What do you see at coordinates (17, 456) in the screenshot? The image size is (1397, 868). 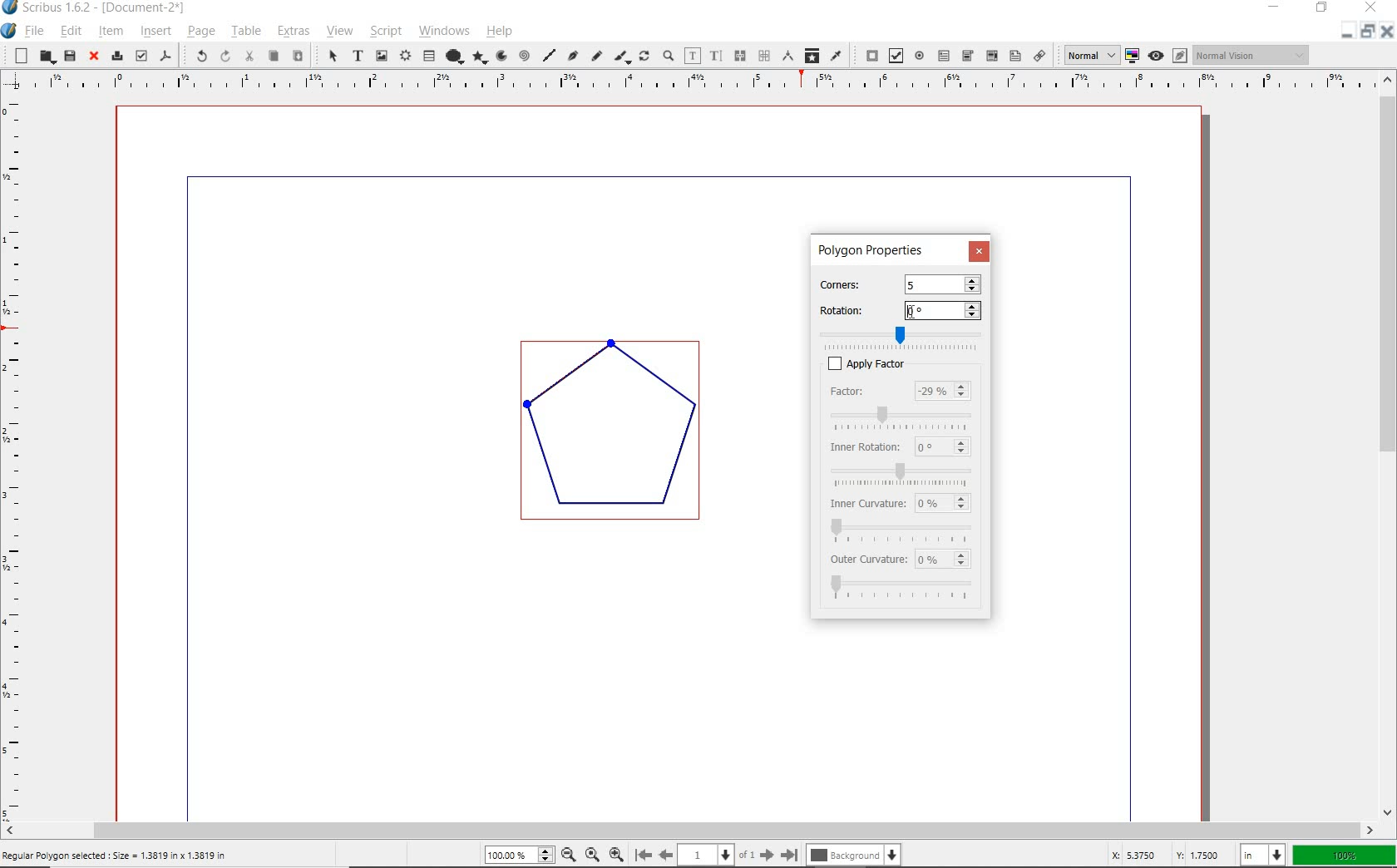 I see `ruler` at bounding box center [17, 456].